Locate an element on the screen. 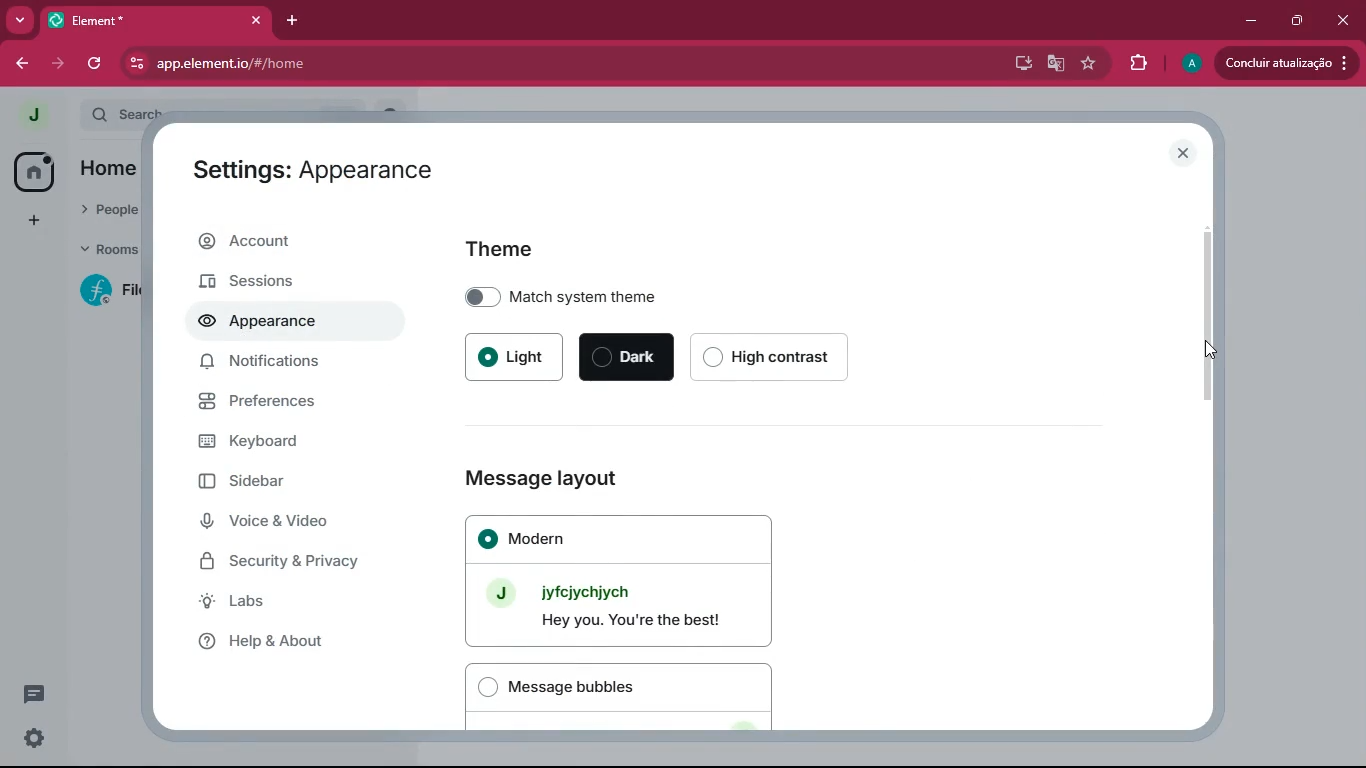 This screenshot has width=1366, height=768. update is located at coordinates (1286, 65).